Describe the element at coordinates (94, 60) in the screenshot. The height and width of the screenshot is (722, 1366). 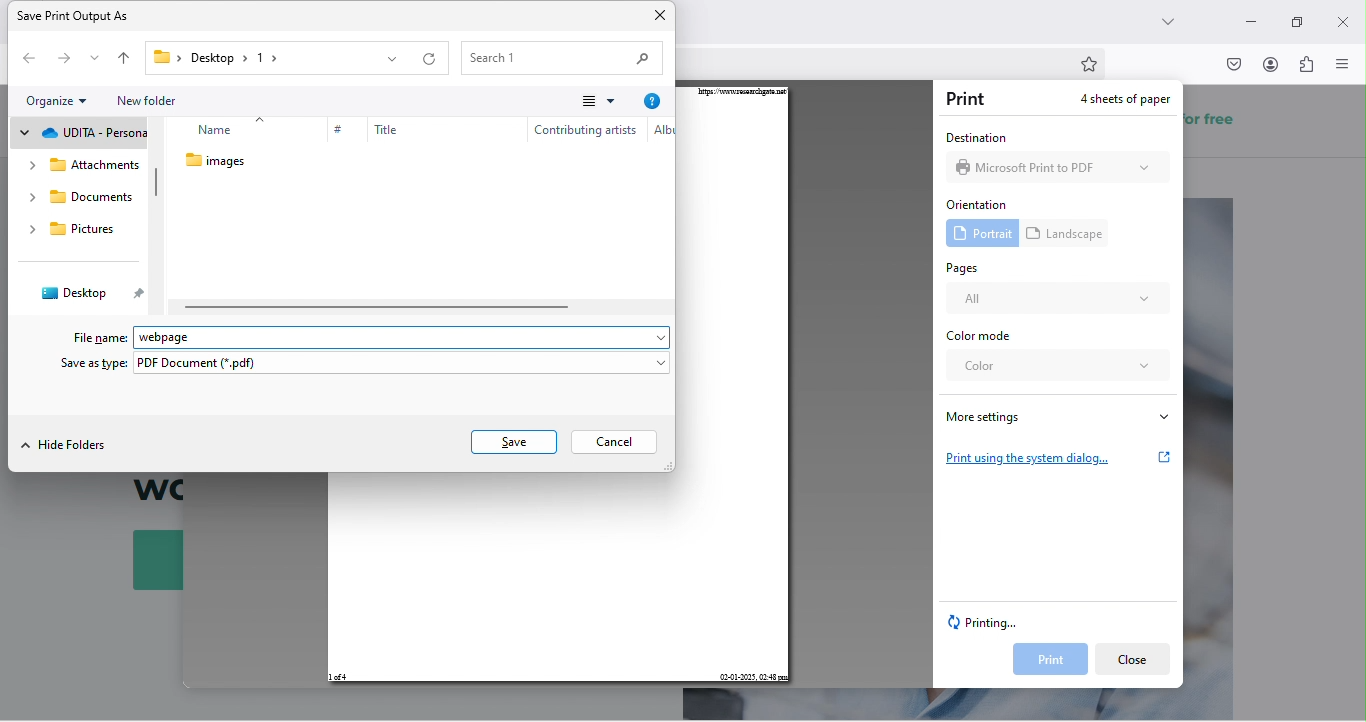
I see `recent location` at that location.